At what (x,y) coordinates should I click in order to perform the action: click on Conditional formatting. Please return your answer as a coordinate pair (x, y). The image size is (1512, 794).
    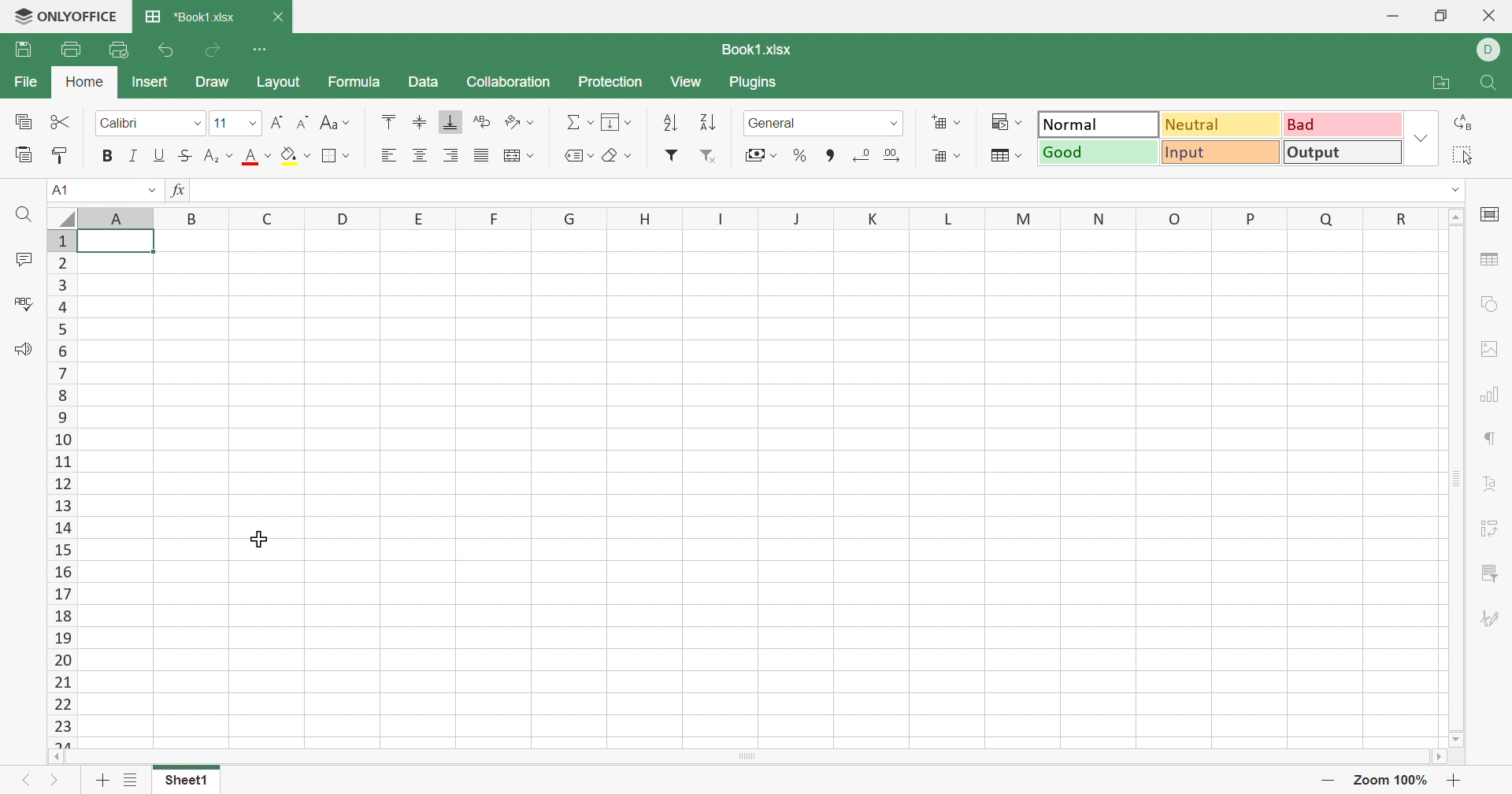
    Looking at the image, I should click on (997, 121).